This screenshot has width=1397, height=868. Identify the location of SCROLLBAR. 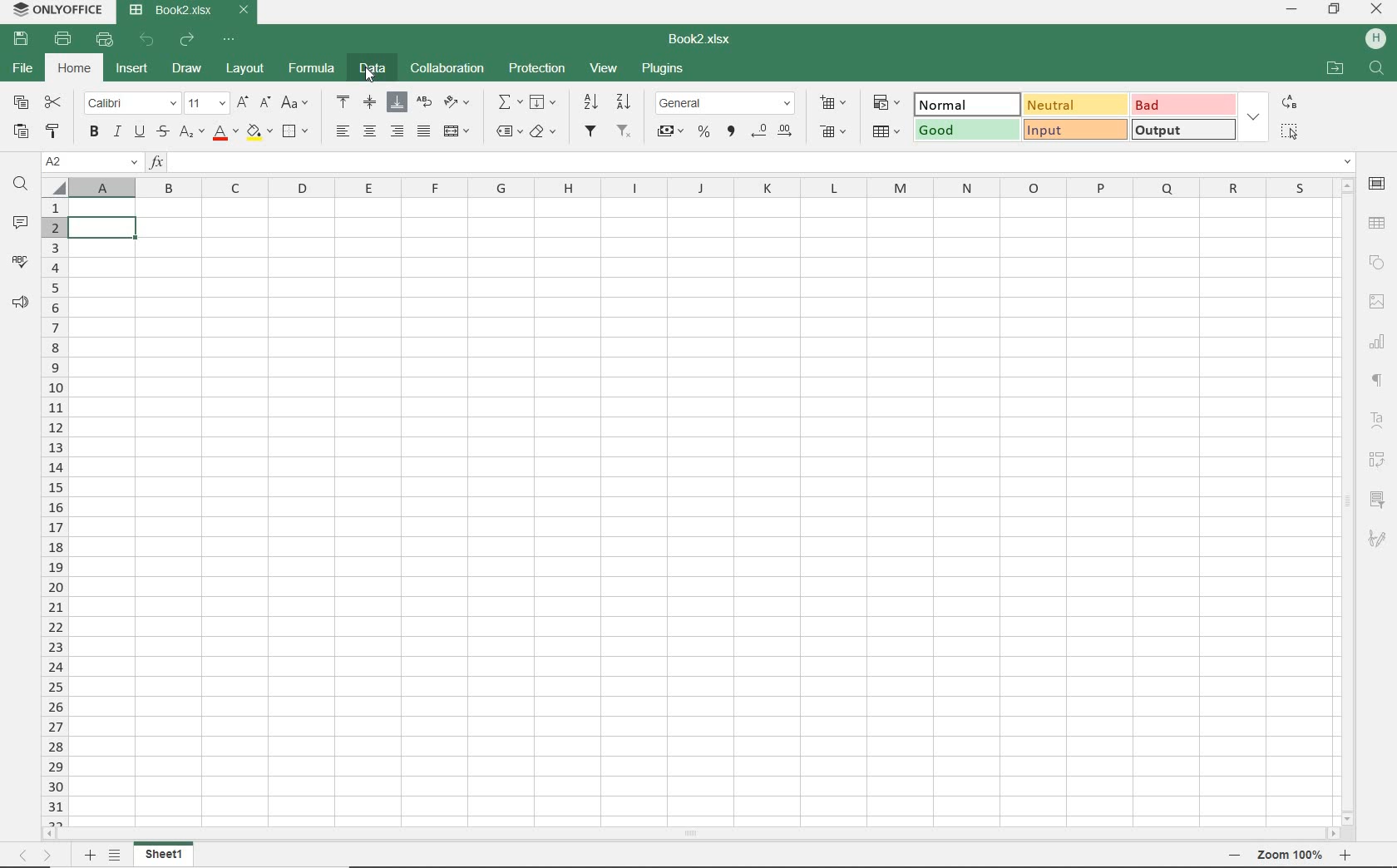
(1346, 499).